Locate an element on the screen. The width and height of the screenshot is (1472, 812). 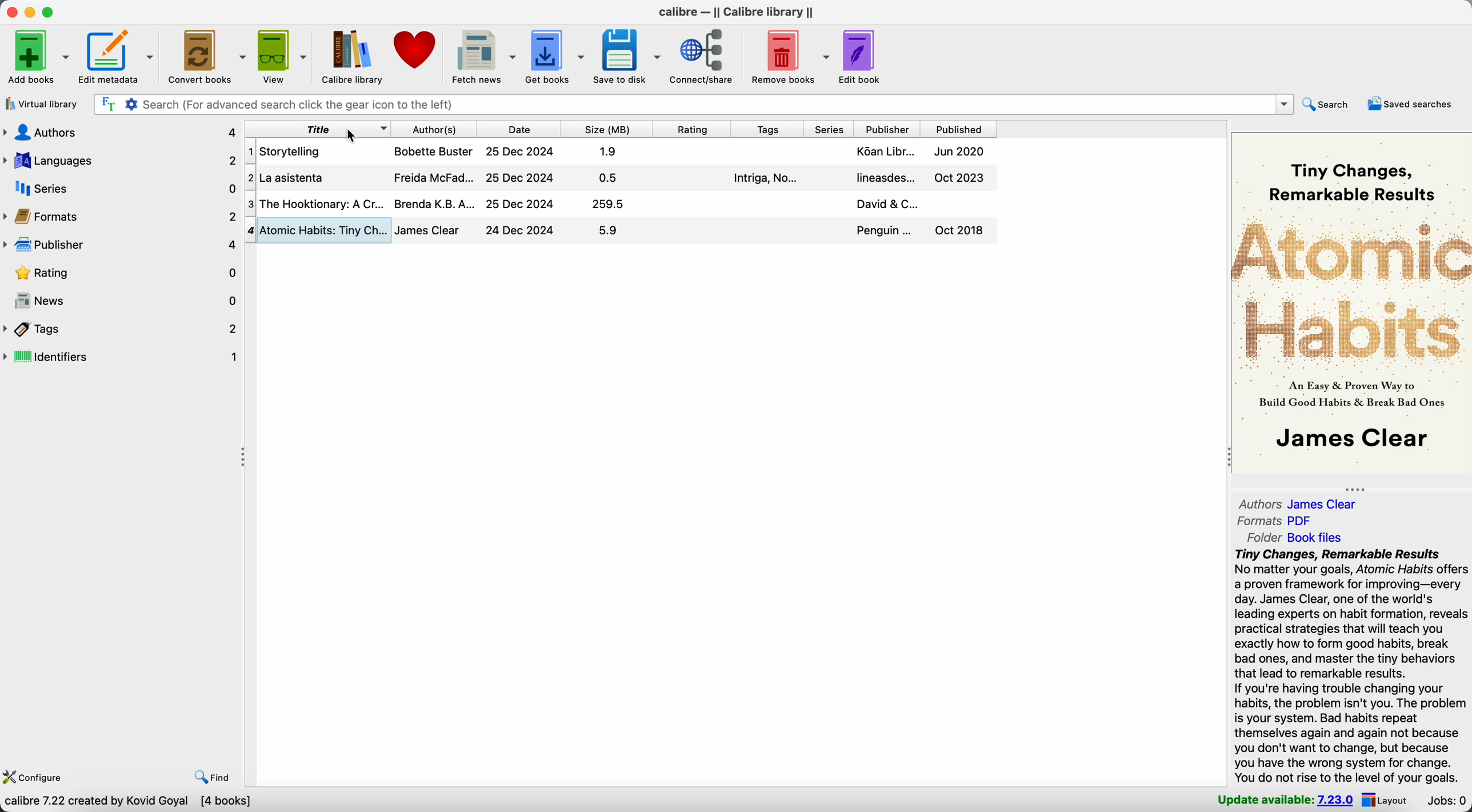
add books is located at coordinates (38, 57).